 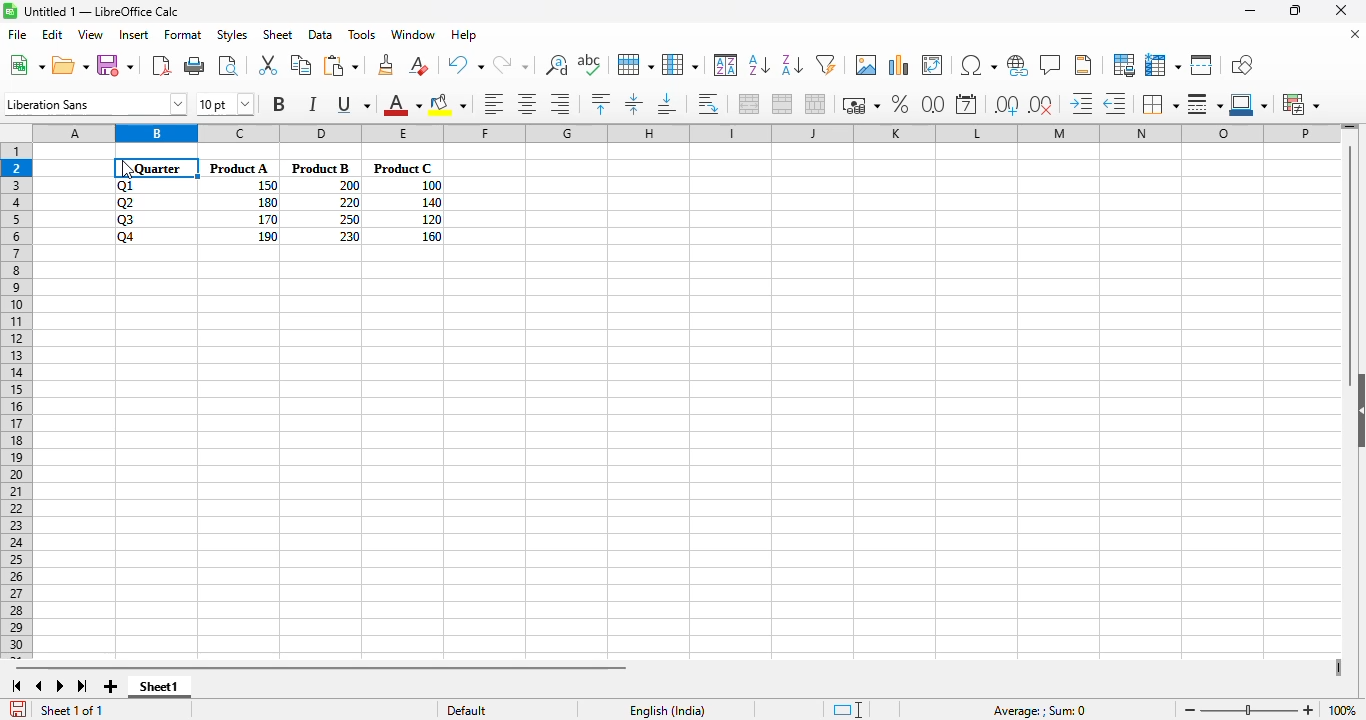 What do you see at coordinates (1241, 64) in the screenshot?
I see `show draw functions` at bounding box center [1241, 64].